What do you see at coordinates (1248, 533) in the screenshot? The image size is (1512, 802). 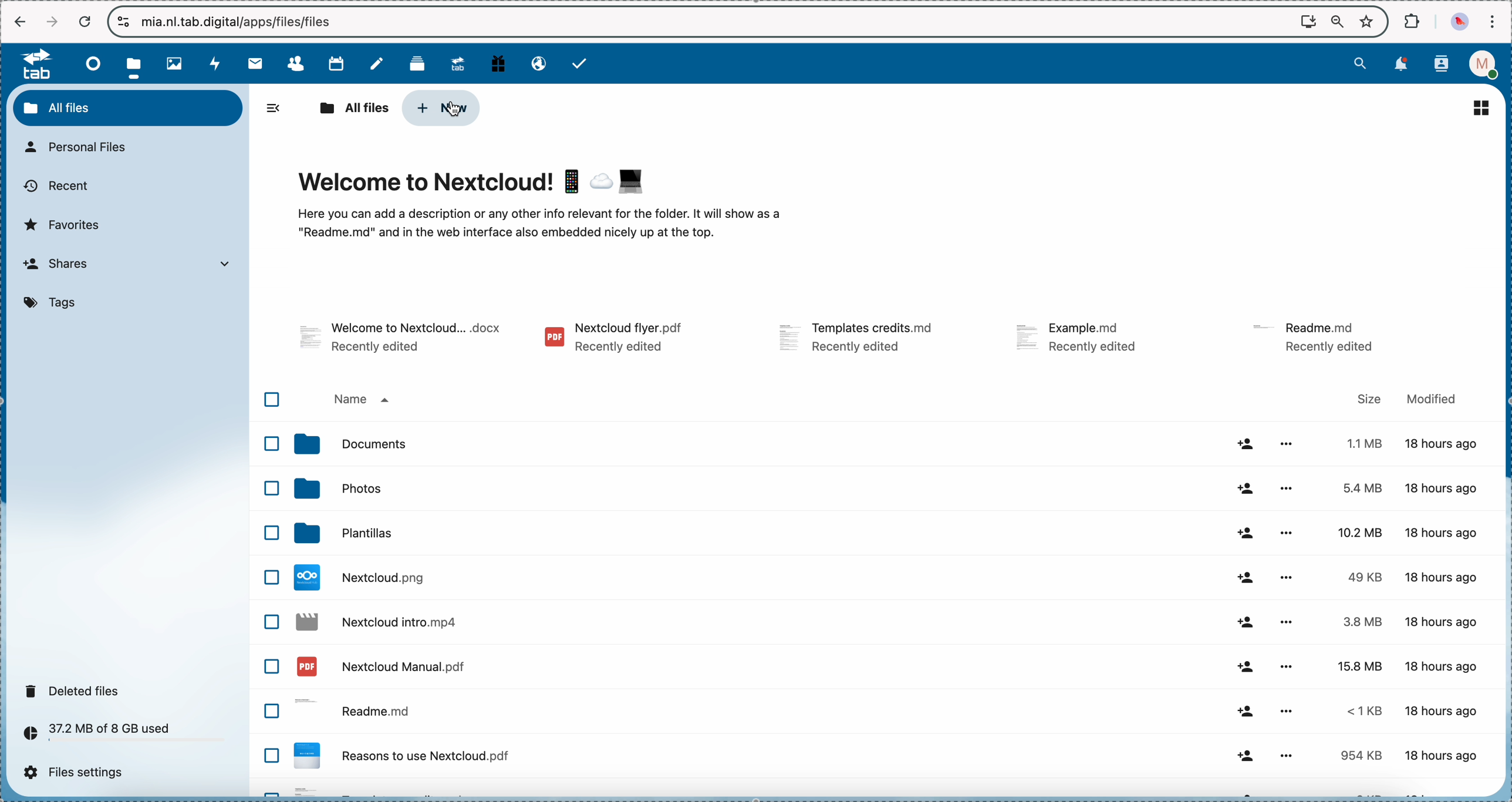 I see `share` at bounding box center [1248, 533].